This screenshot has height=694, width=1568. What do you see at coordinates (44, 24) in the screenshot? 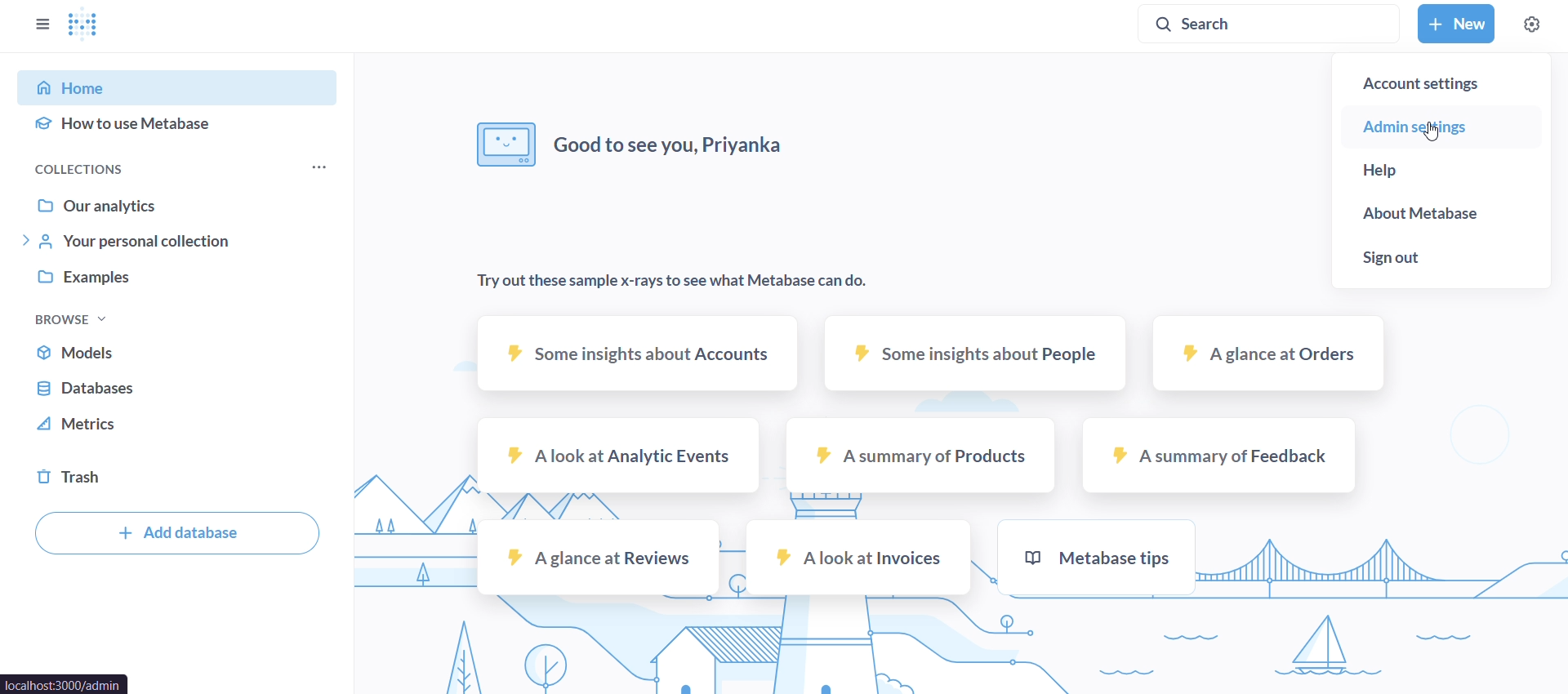
I see `close sidebar` at bounding box center [44, 24].